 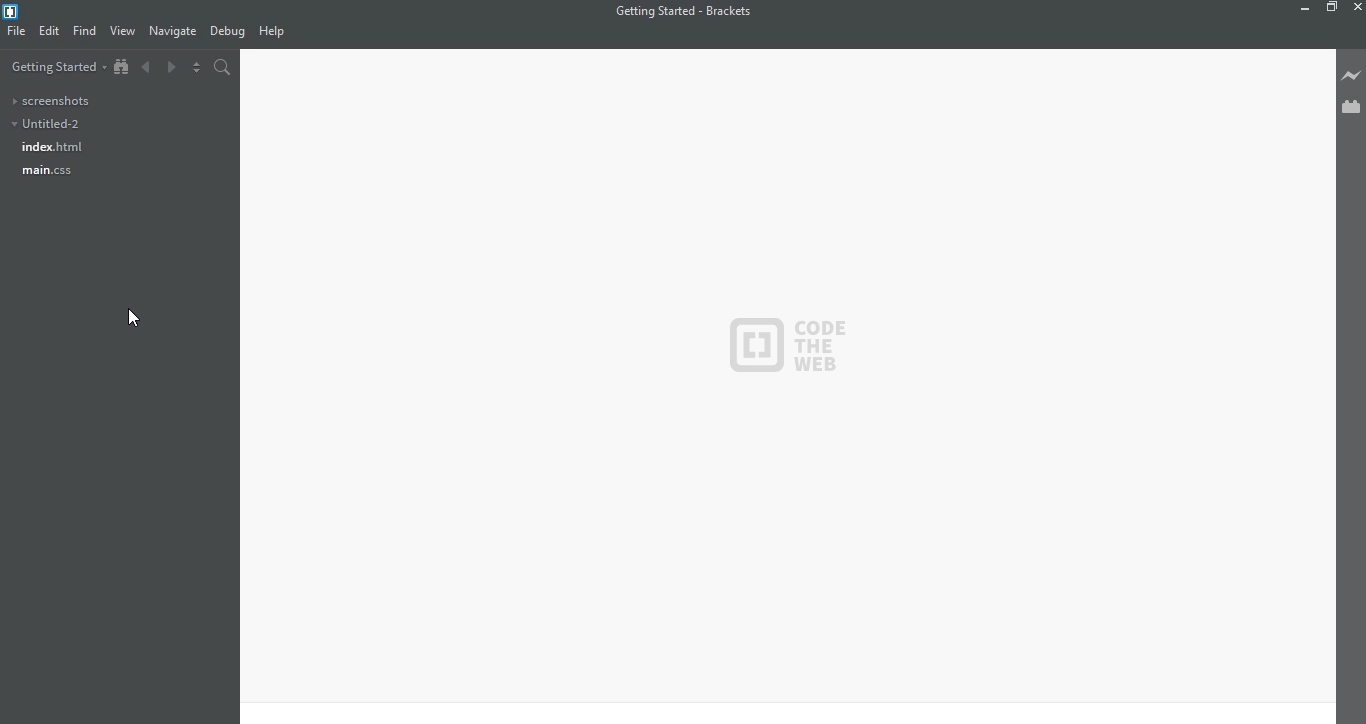 I want to click on untitled-2, so click(x=53, y=124).